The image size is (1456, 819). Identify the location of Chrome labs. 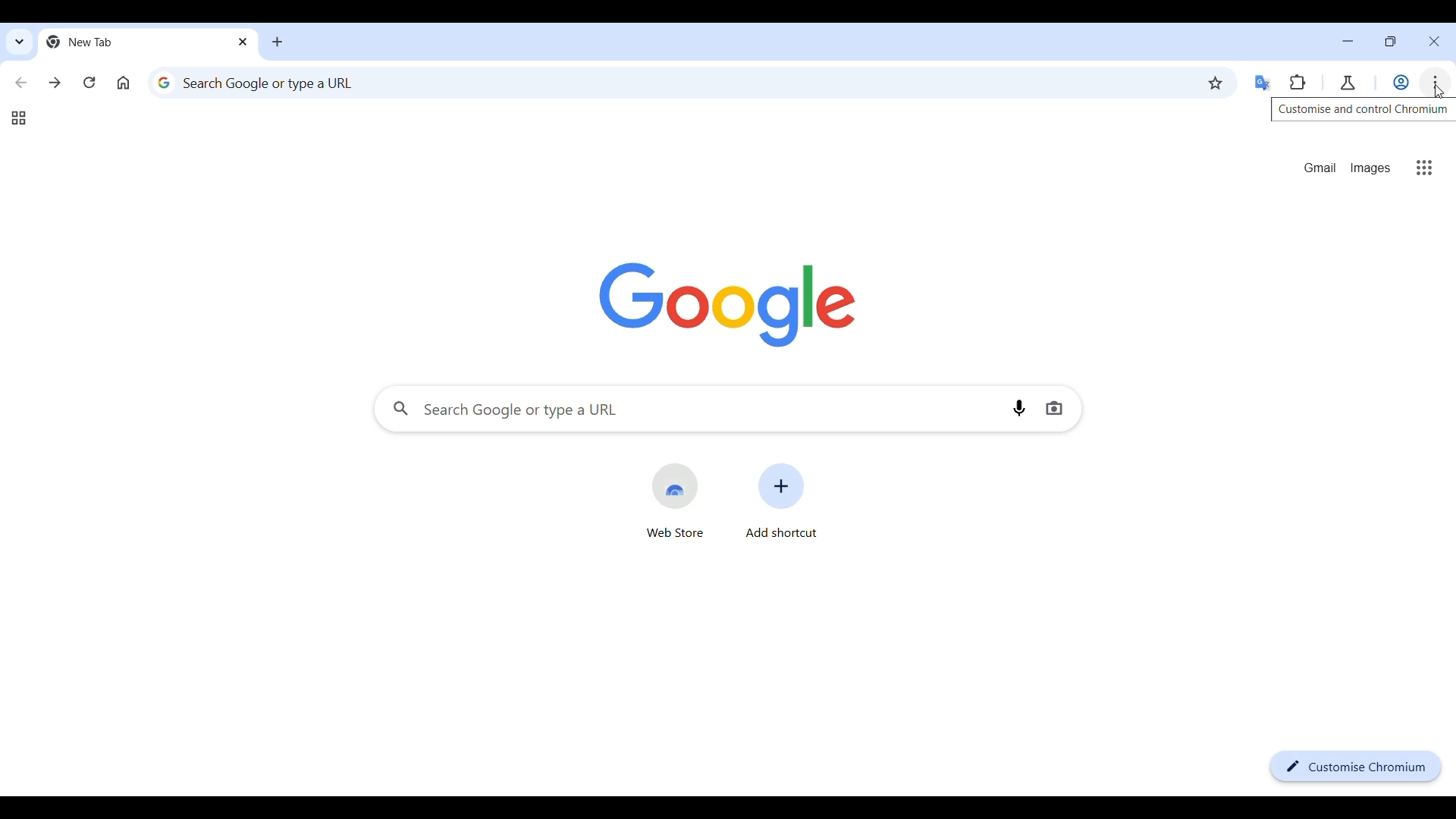
(1348, 83).